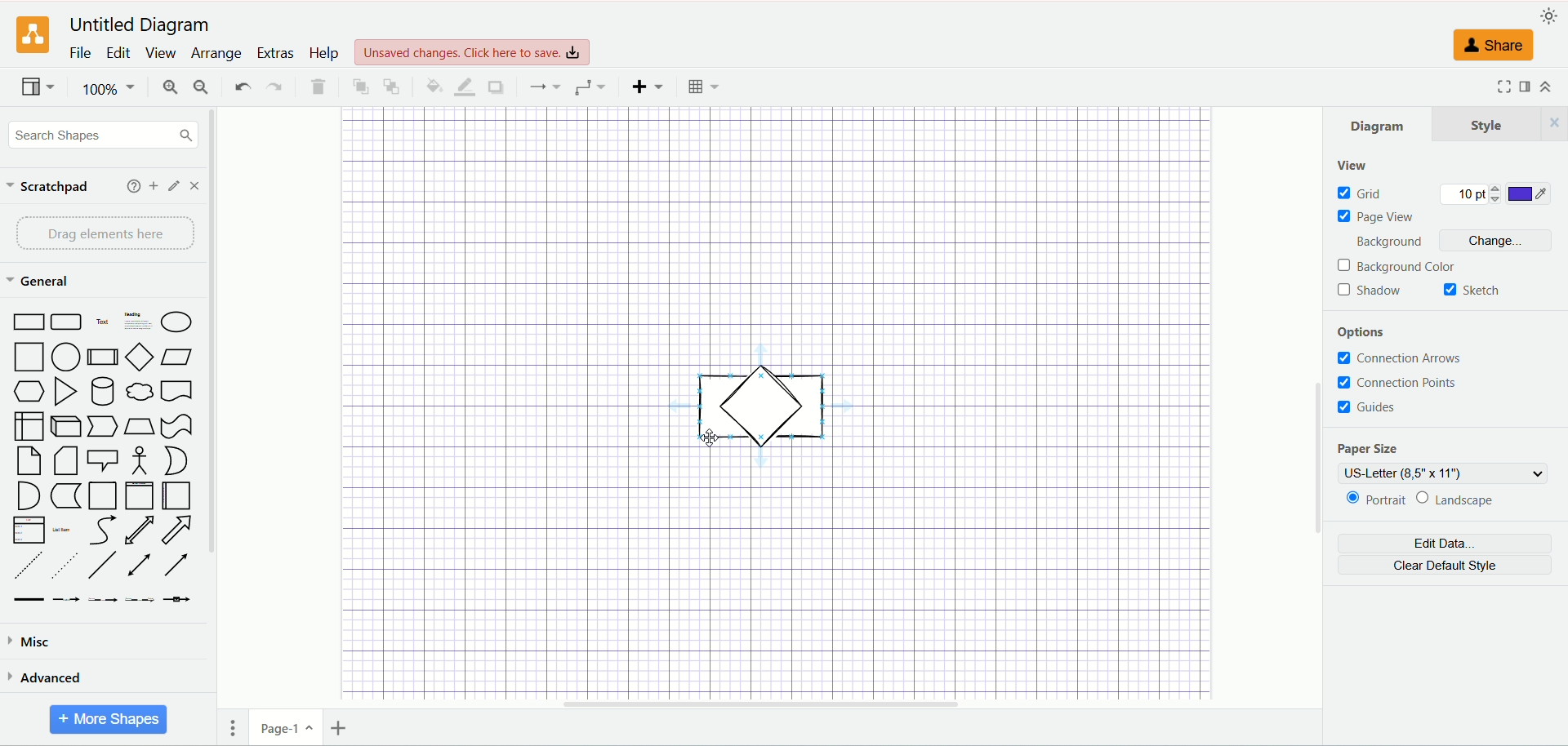  What do you see at coordinates (274, 89) in the screenshot?
I see `redo` at bounding box center [274, 89].